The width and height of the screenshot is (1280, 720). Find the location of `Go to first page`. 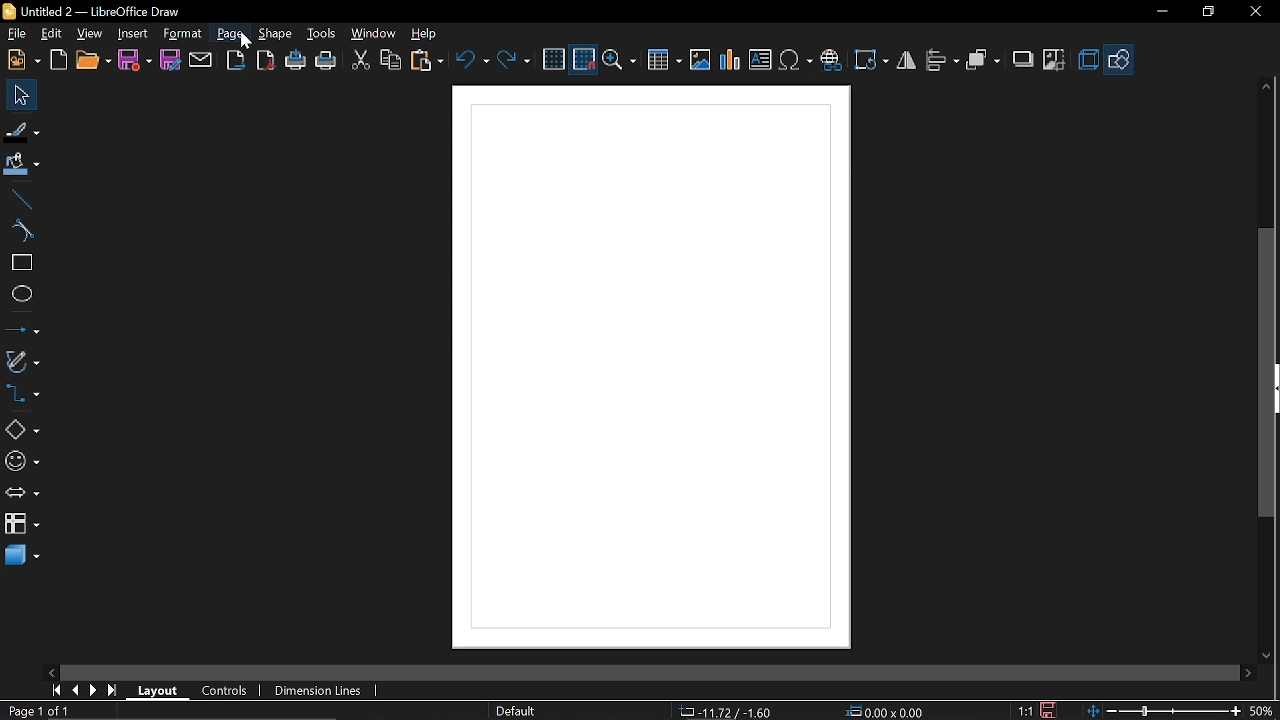

Go to first page is located at coordinates (58, 691).